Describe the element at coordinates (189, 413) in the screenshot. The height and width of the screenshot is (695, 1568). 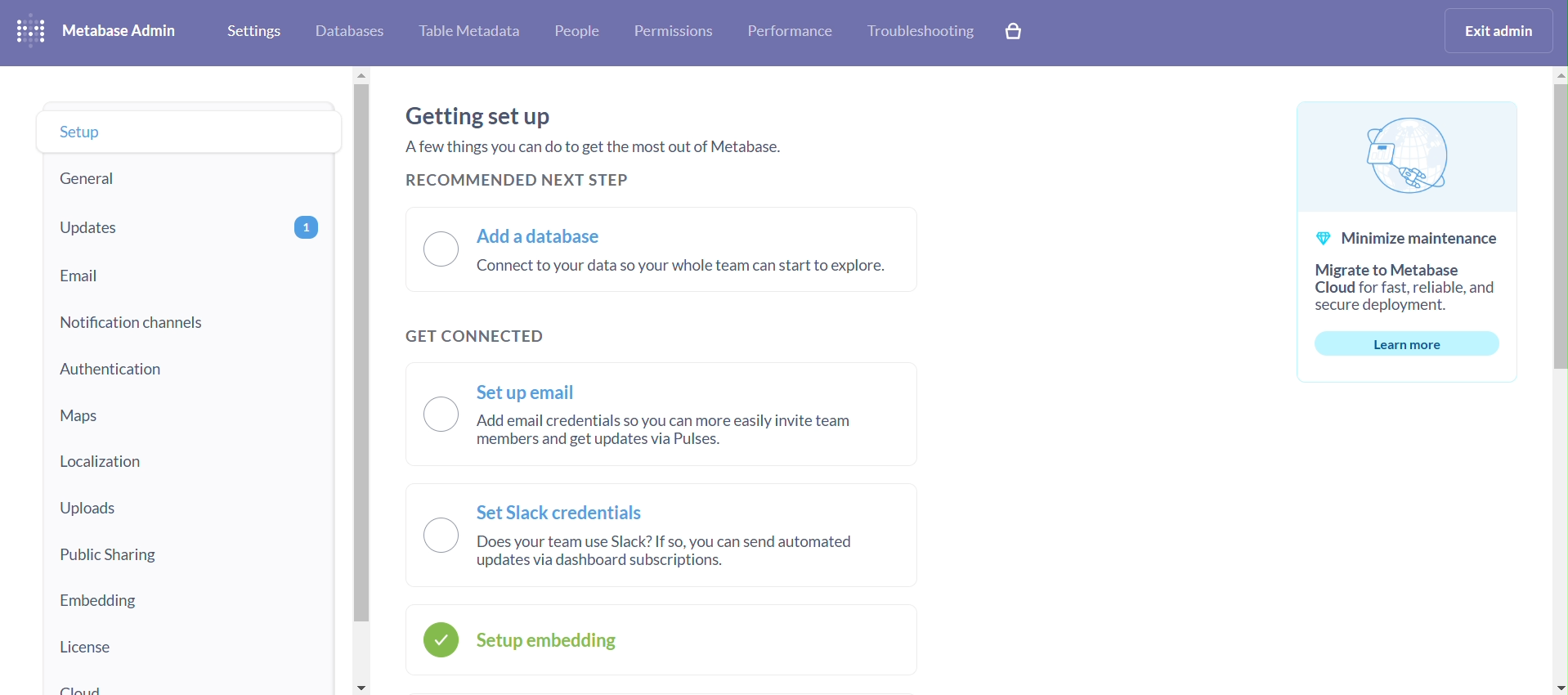
I see `maps` at that location.